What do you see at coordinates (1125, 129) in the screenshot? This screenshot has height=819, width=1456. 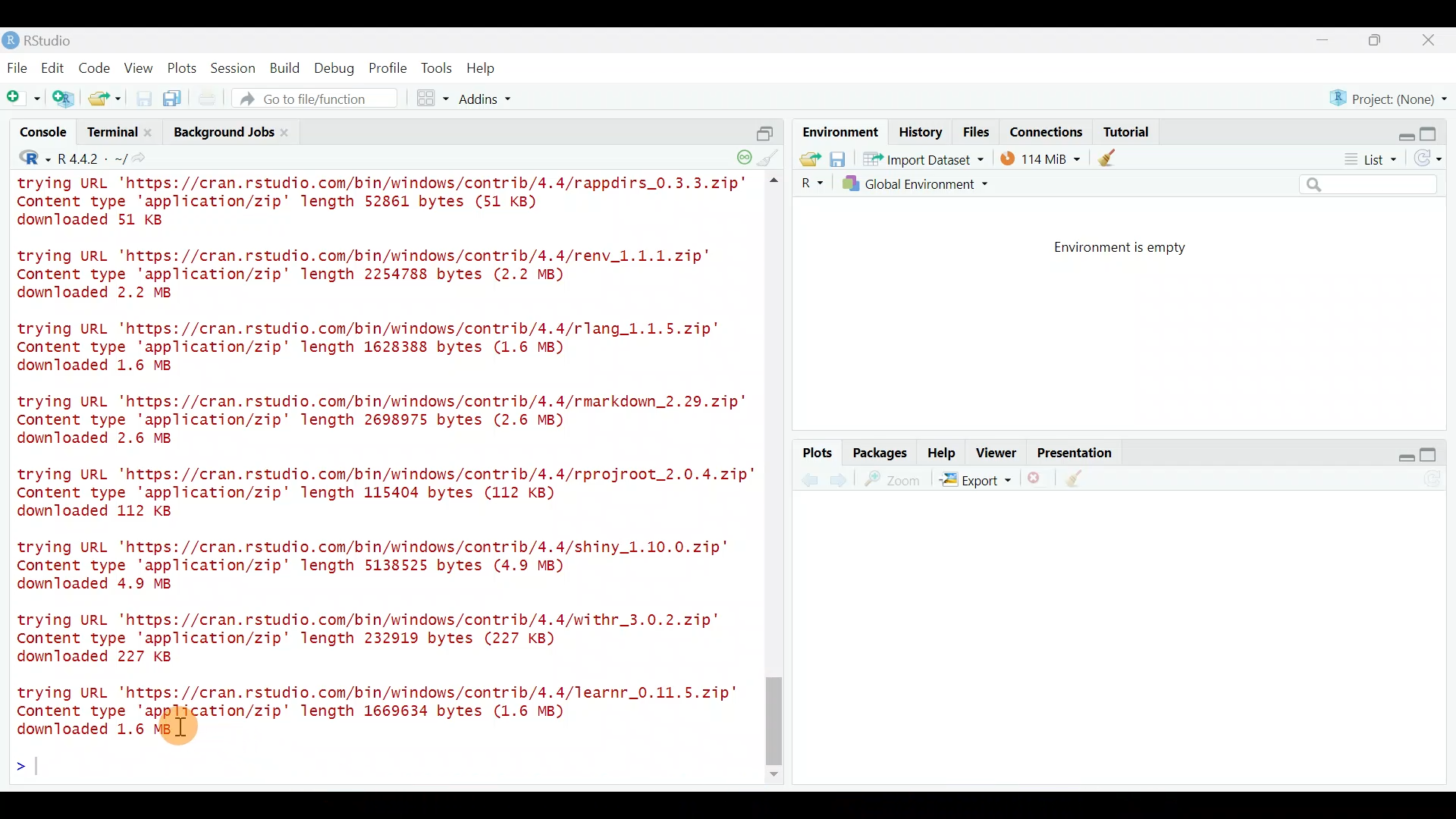 I see `Tutorial` at bounding box center [1125, 129].